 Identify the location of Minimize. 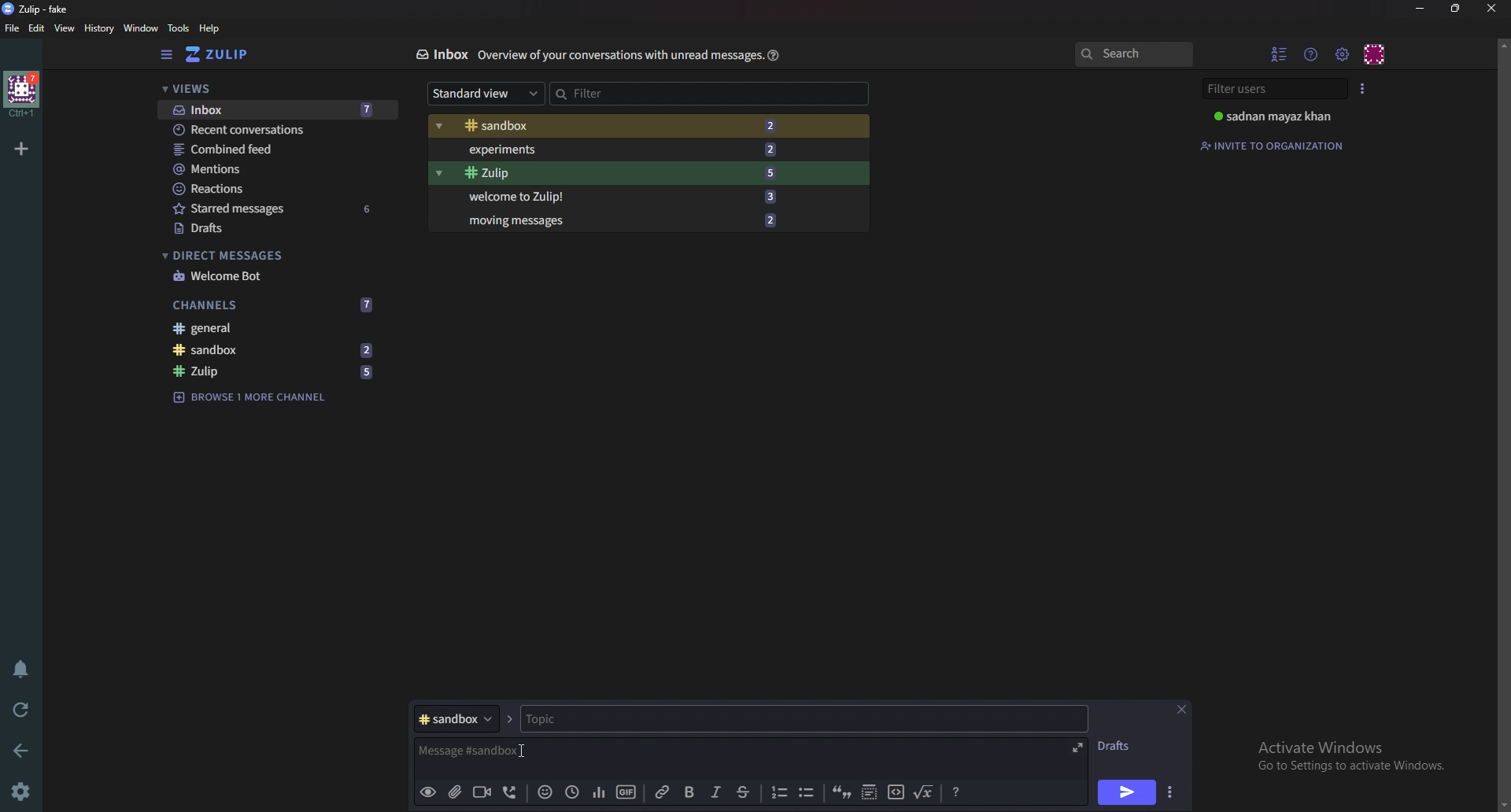
(1421, 8).